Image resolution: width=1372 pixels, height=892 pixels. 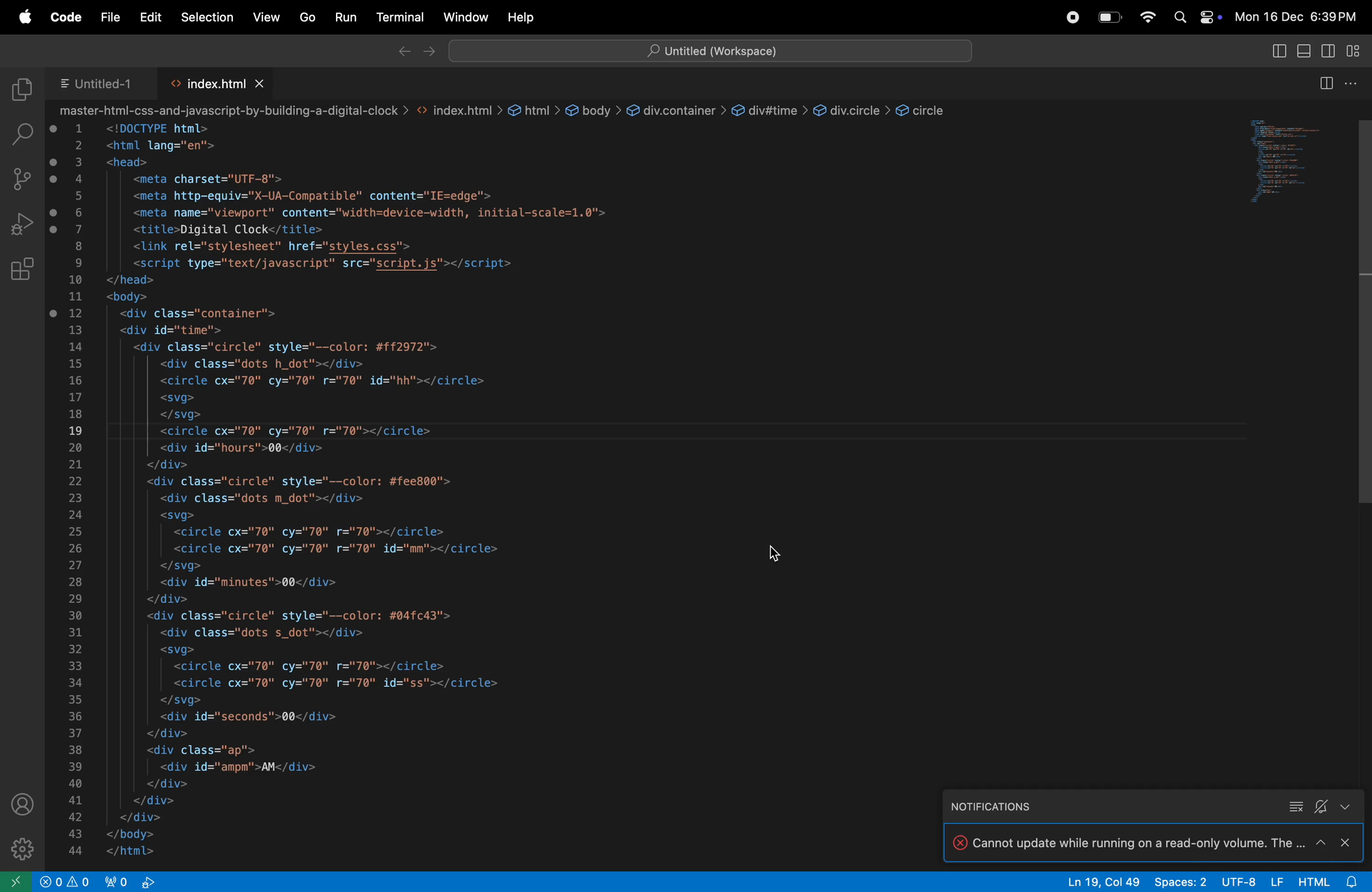 I want to click on collapse, so click(x=1294, y=807).